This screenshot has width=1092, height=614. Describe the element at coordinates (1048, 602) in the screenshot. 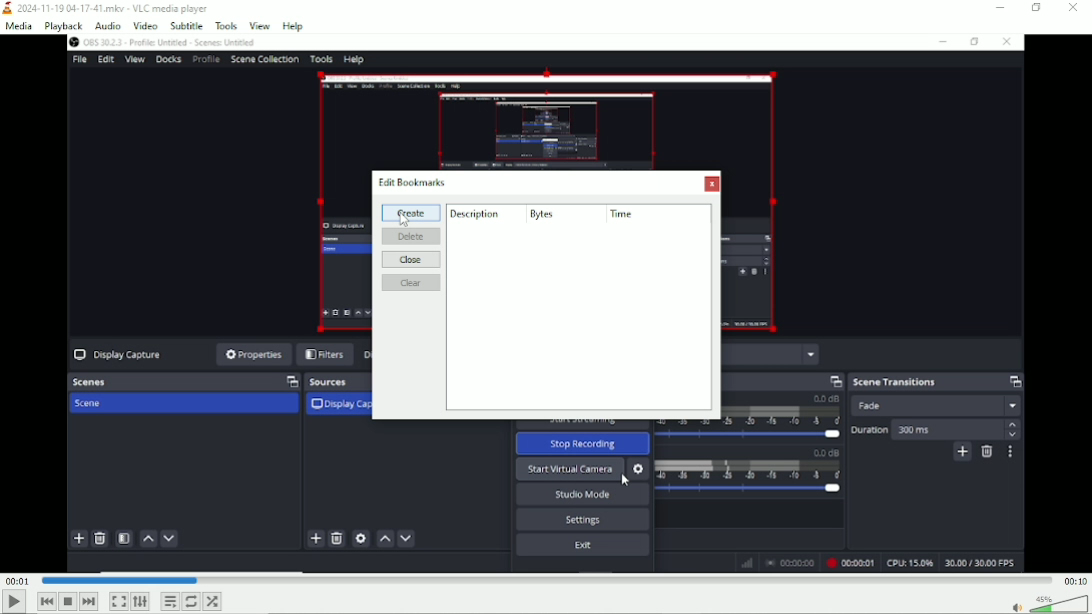

I see `Volume` at that location.